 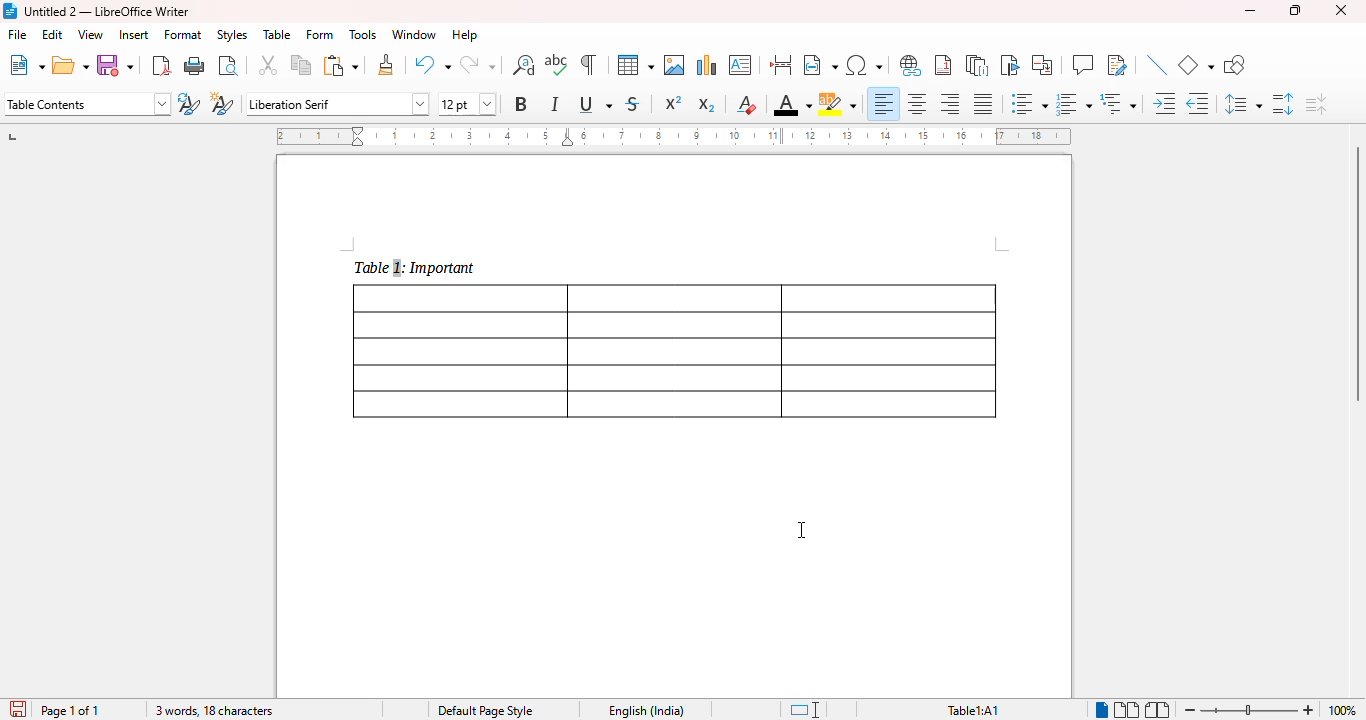 I want to click on edit, so click(x=54, y=34).